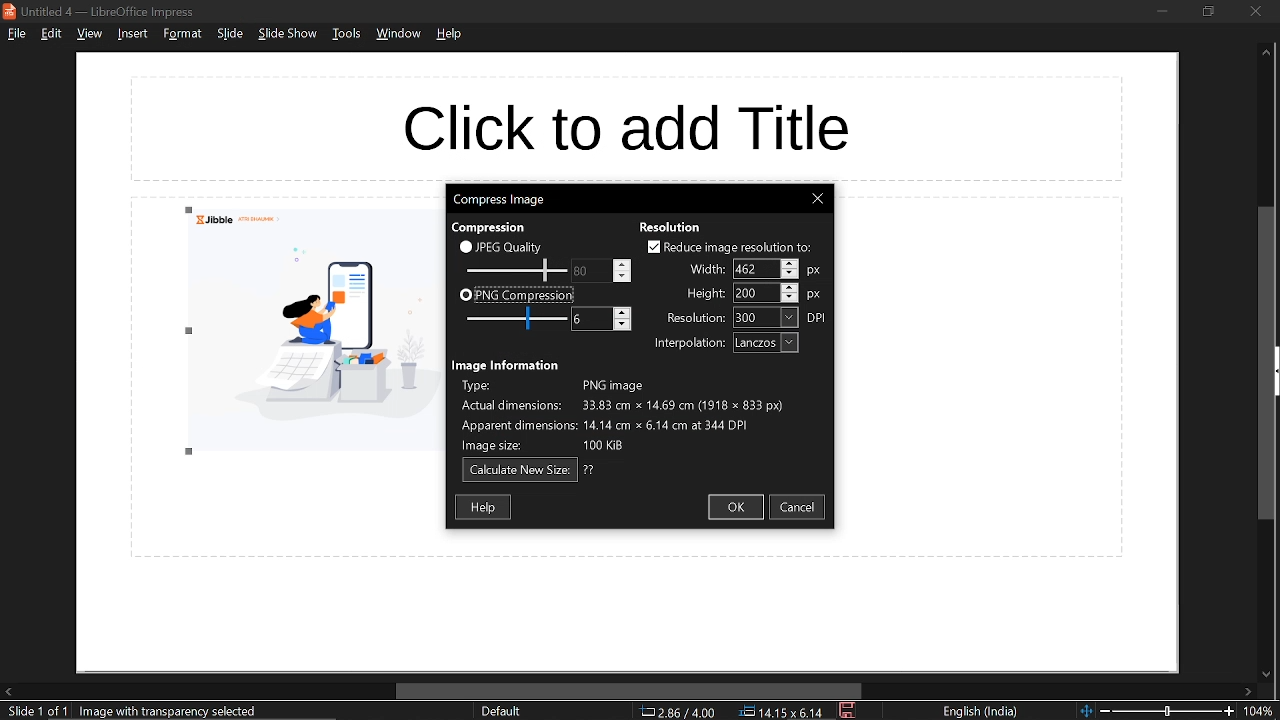  I want to click on increase width, so click(789, 262).